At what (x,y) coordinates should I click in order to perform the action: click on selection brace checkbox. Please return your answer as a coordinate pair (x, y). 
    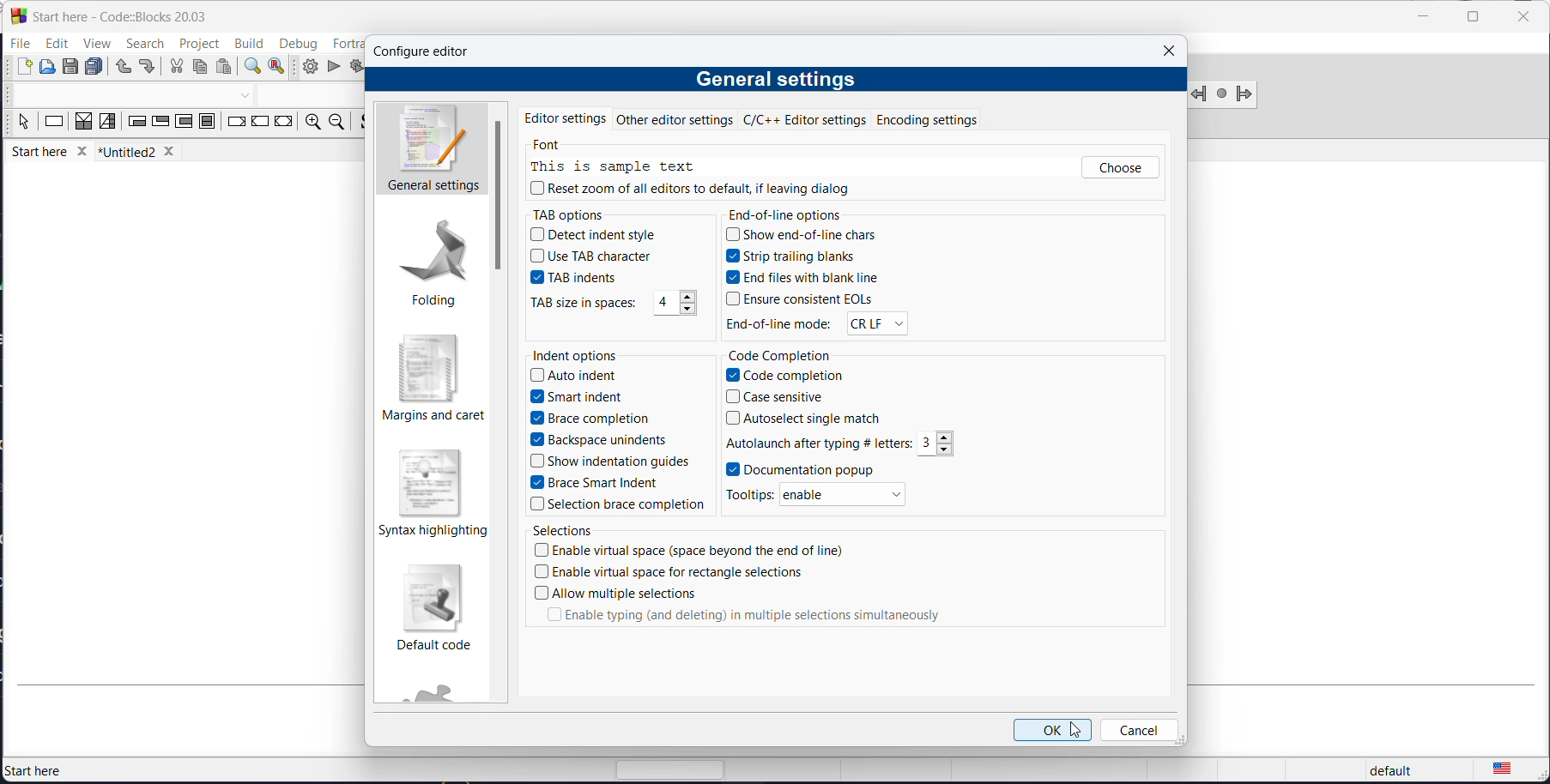
    Looking at the image, I should click on (621, 503).